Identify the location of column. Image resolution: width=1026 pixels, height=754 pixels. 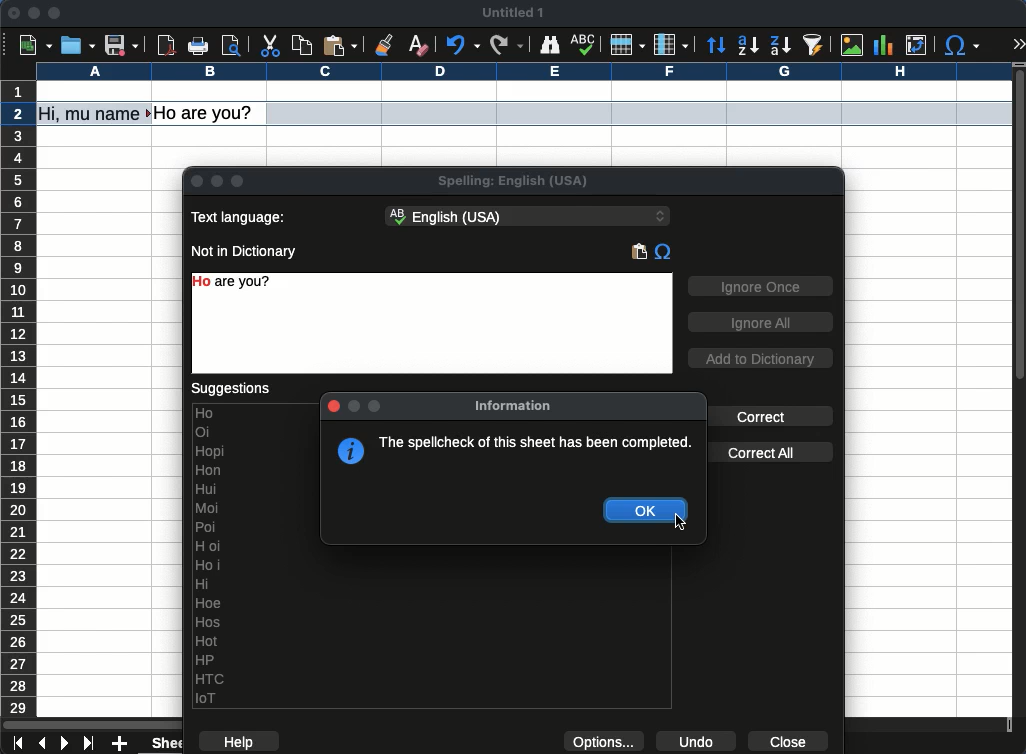
(671, 44).